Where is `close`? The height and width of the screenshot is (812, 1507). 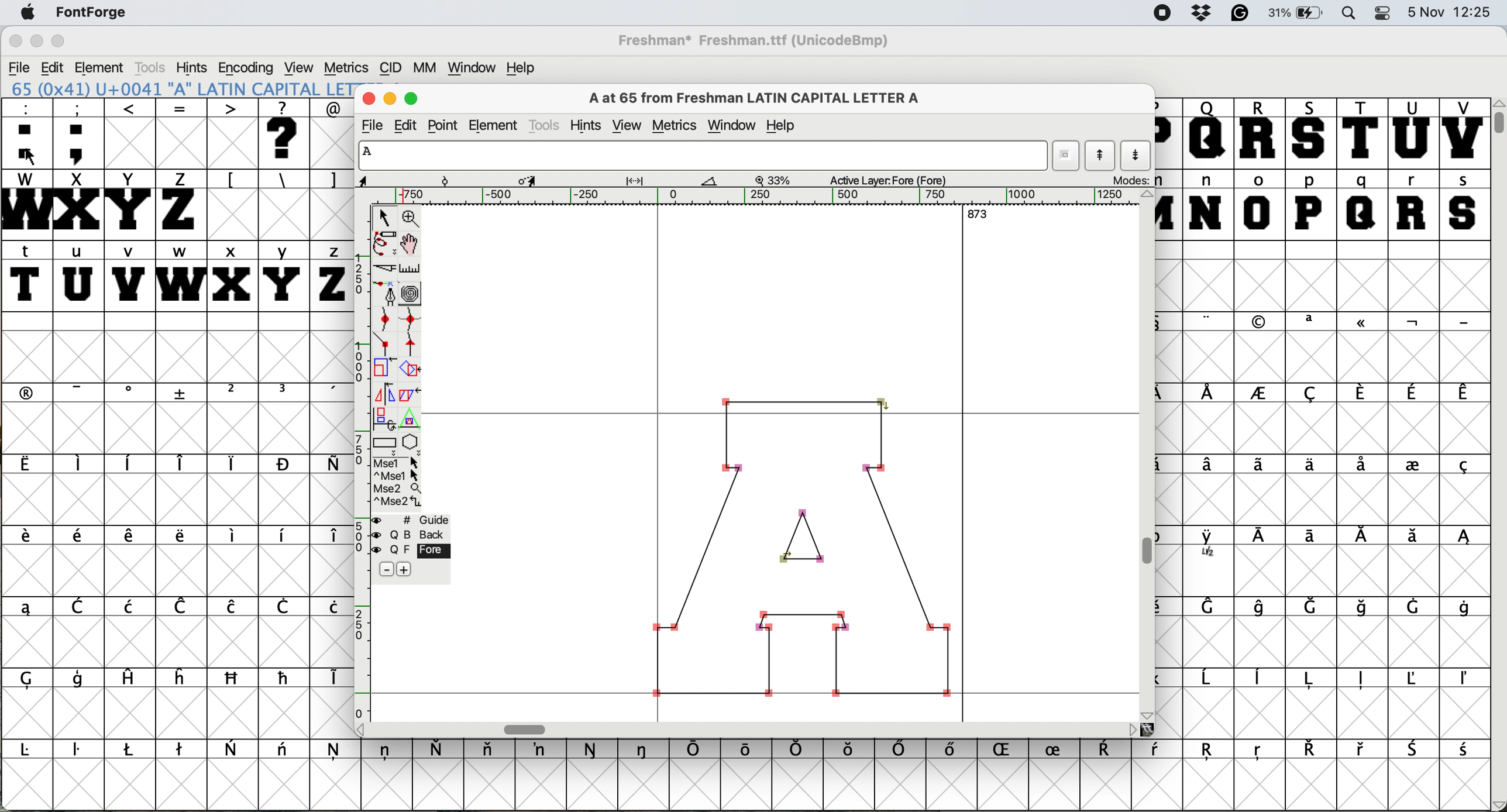 close is located at coordinates (367, 101).